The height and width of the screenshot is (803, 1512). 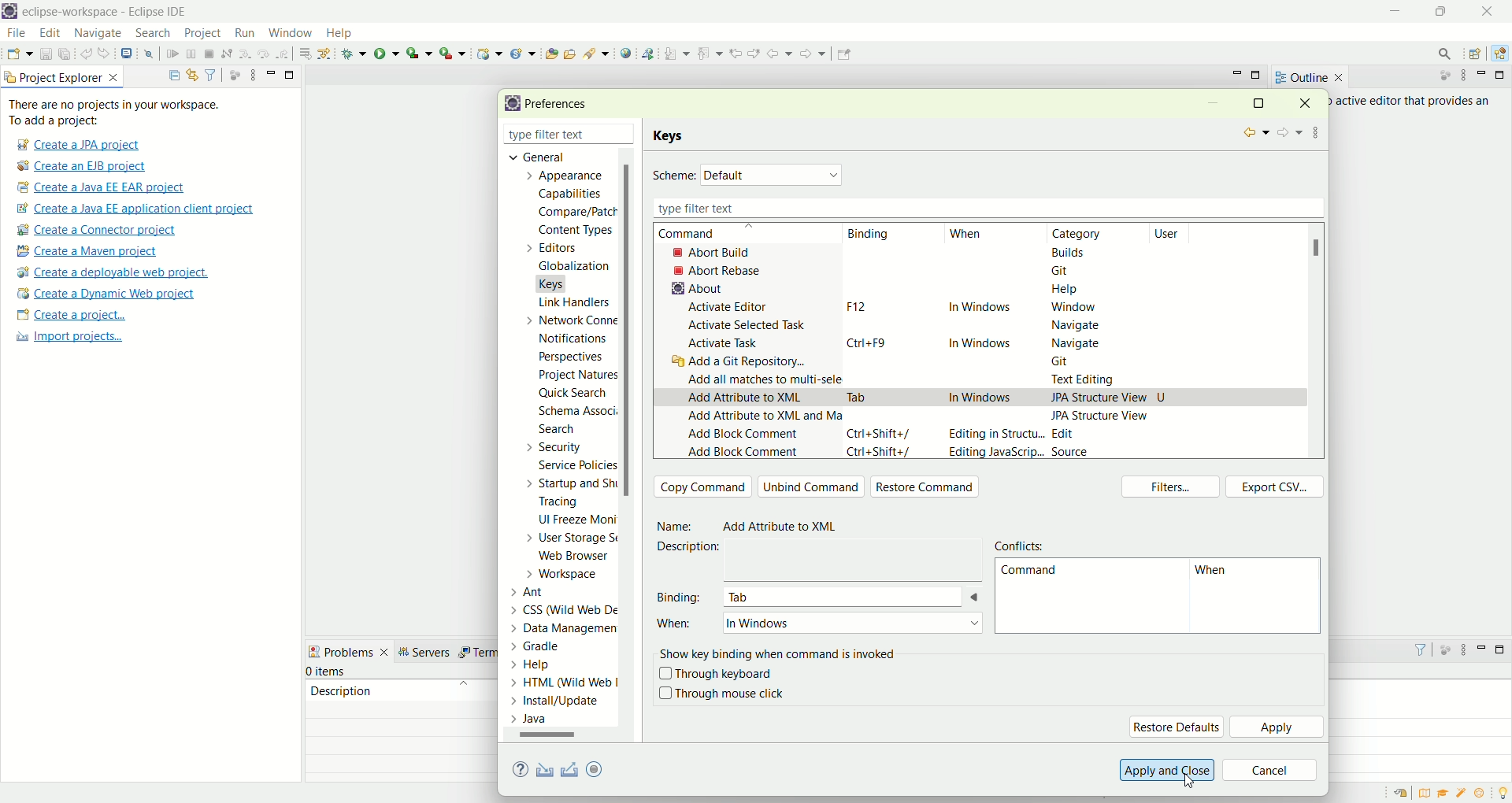 I want to click on save, so click(x=47, y=54).